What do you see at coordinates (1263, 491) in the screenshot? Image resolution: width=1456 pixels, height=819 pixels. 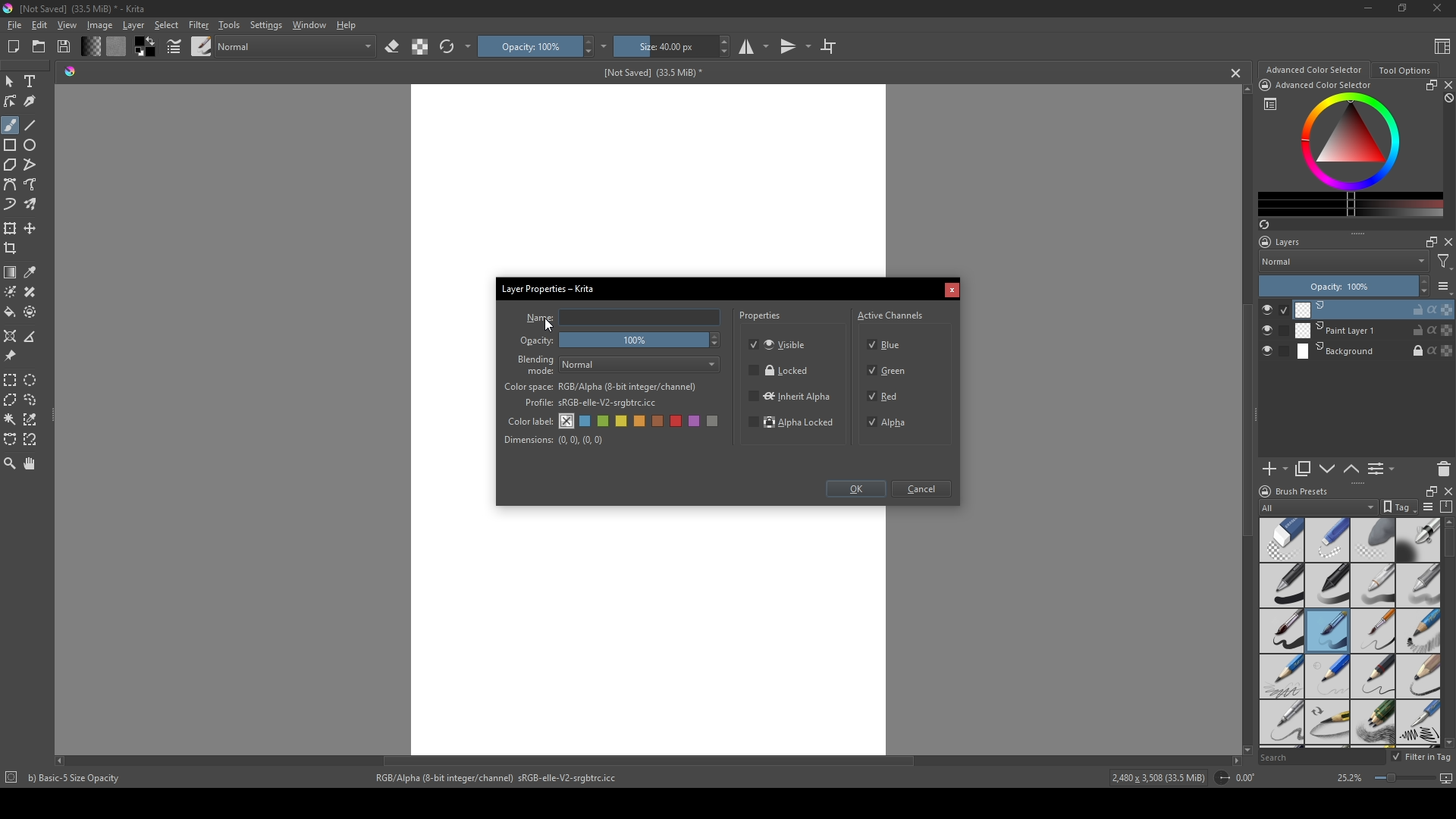 I see `logo` at bounding box center [1263, 491].